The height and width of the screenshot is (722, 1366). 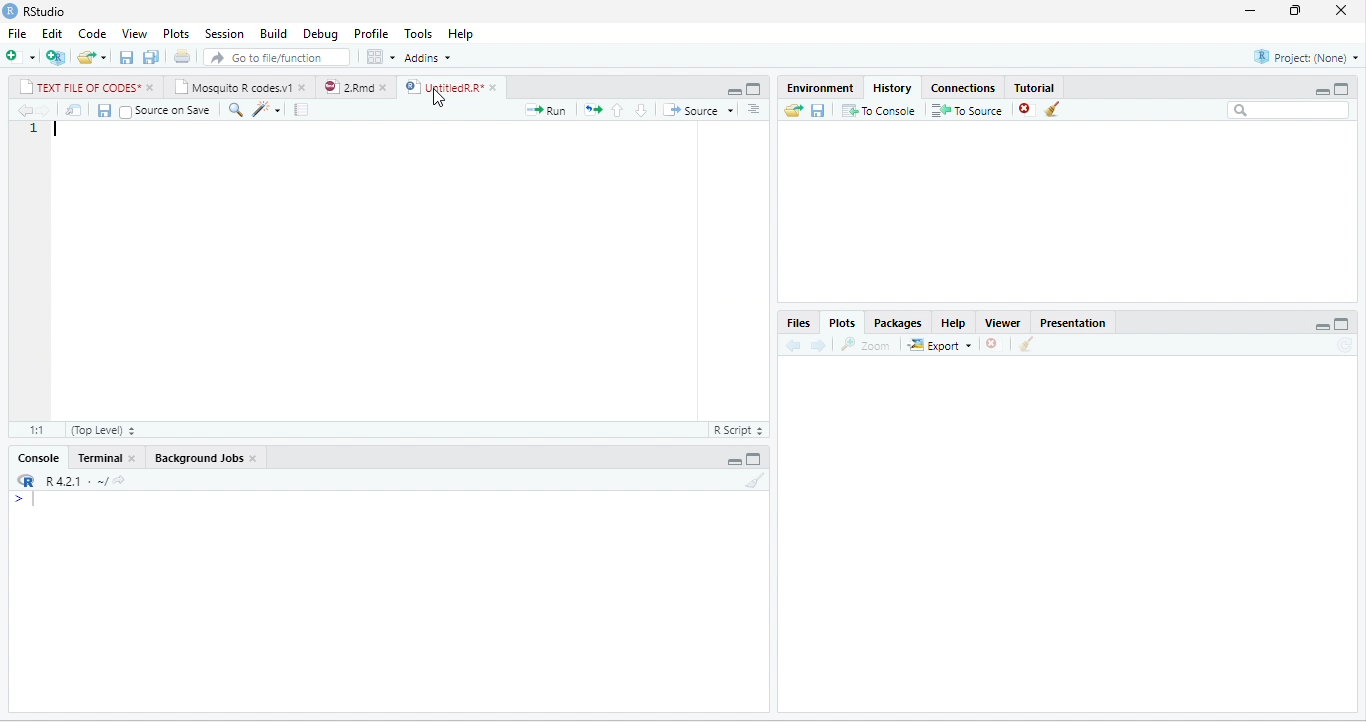 I want to click on resize, so click(x=1295, y=11).